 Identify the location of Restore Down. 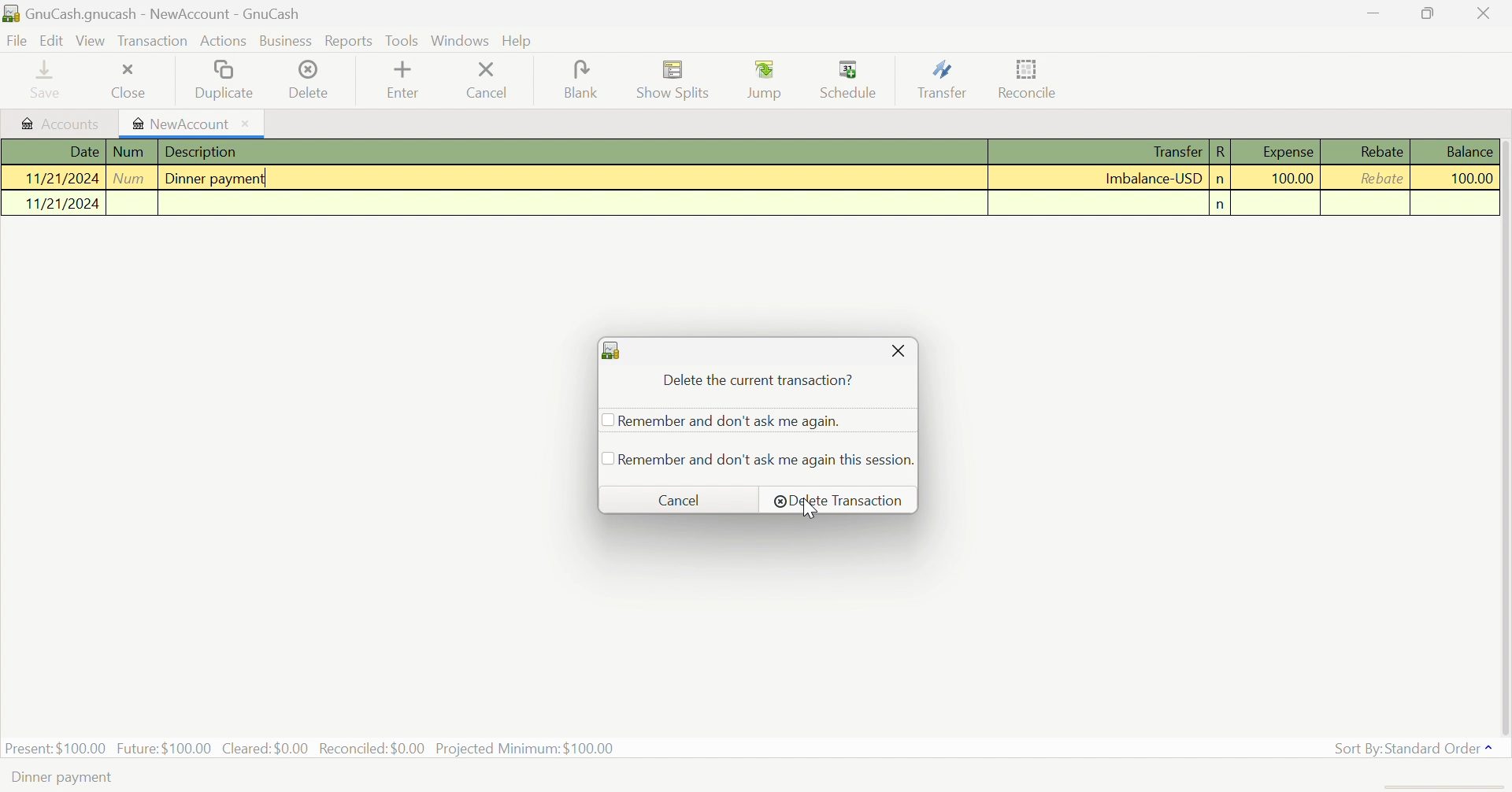
(1425, 14).